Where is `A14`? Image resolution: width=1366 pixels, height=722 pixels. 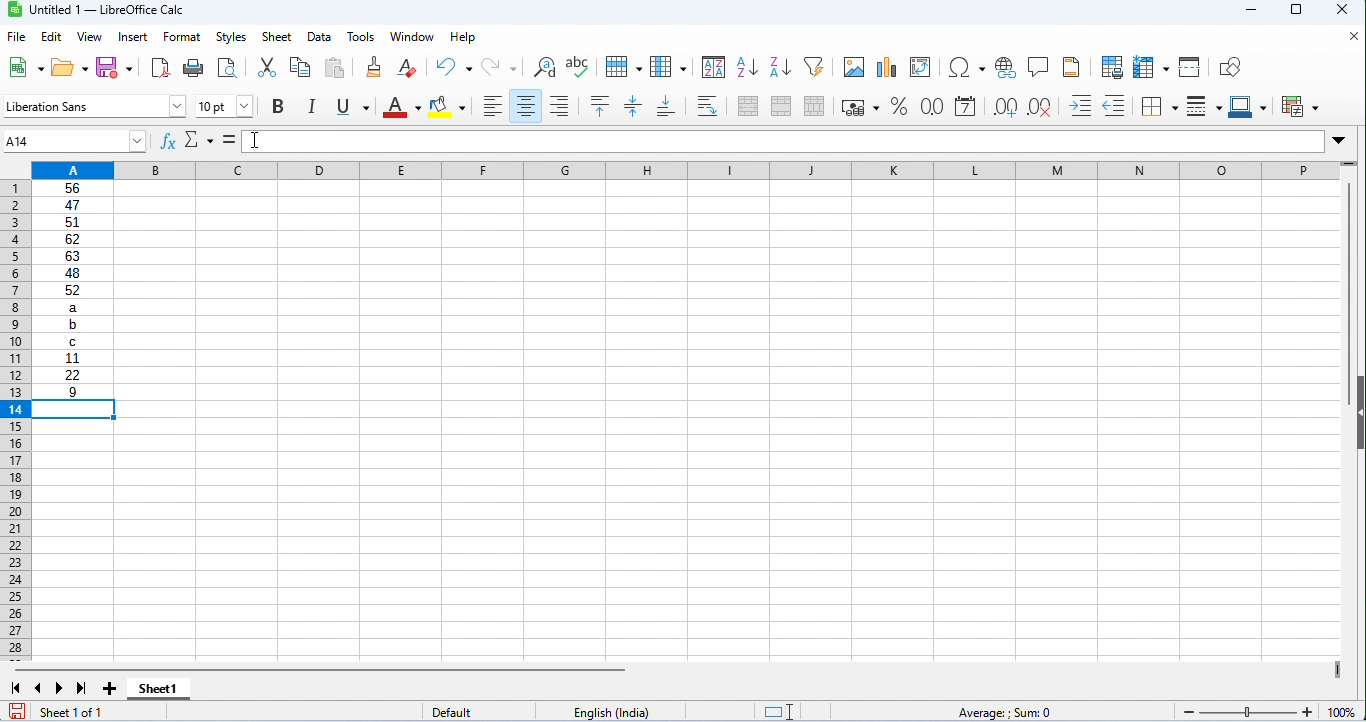 A14 is located at coordinates (17, 142).